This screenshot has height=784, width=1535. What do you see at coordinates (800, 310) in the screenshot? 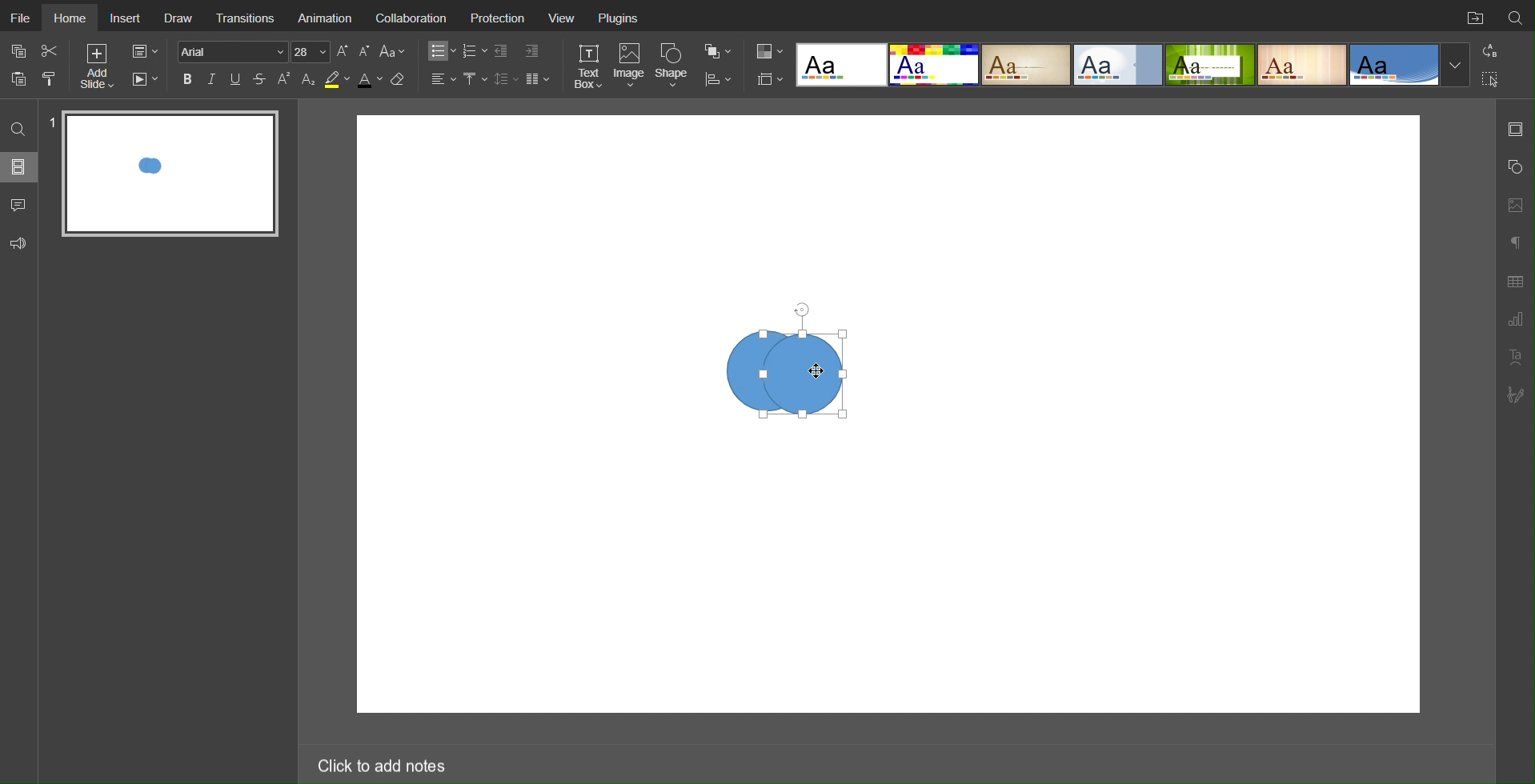
I see `Rotate` at bounding box center [800, 310].